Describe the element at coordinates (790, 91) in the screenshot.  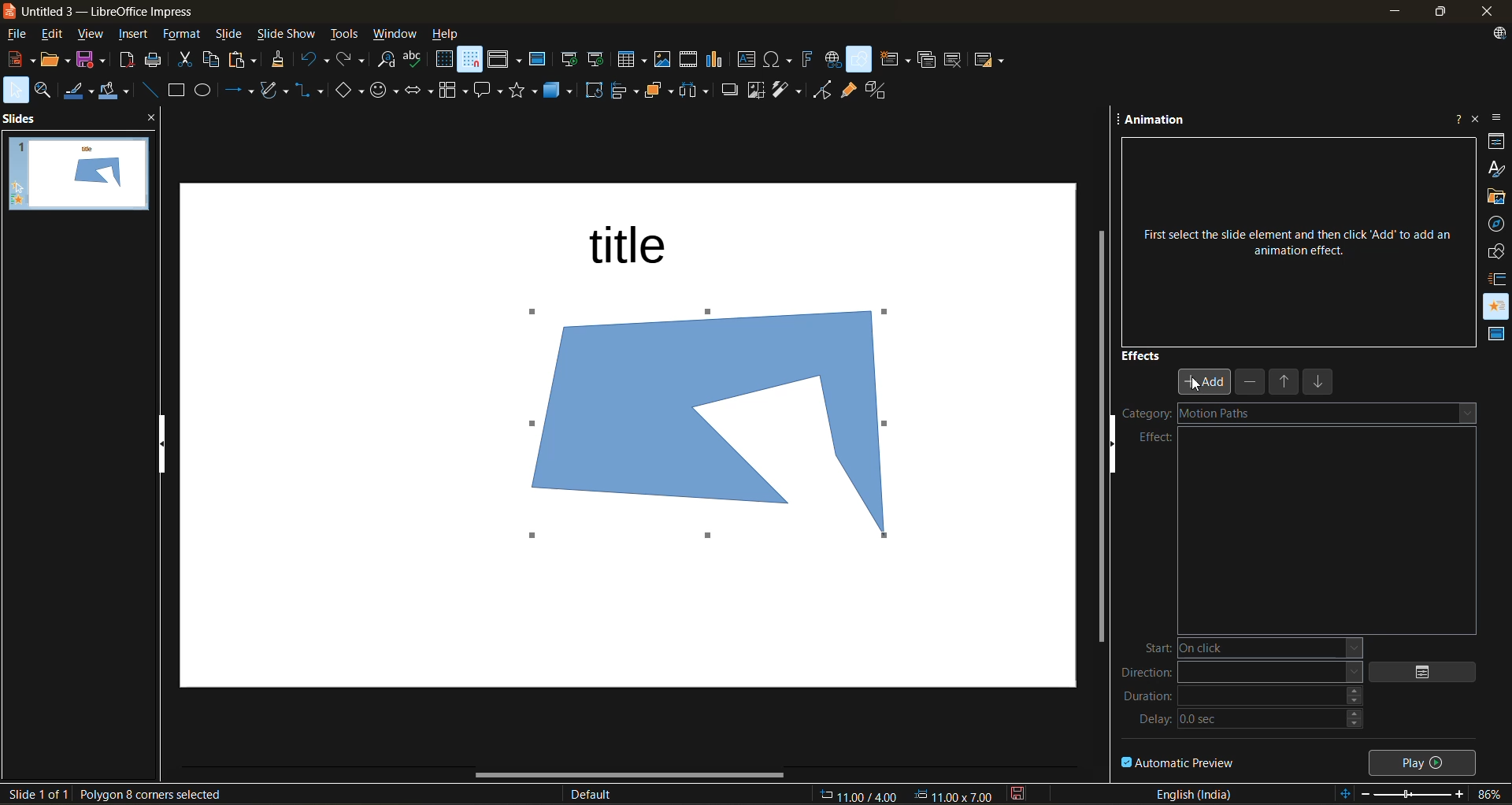
I see `filter` at that location.